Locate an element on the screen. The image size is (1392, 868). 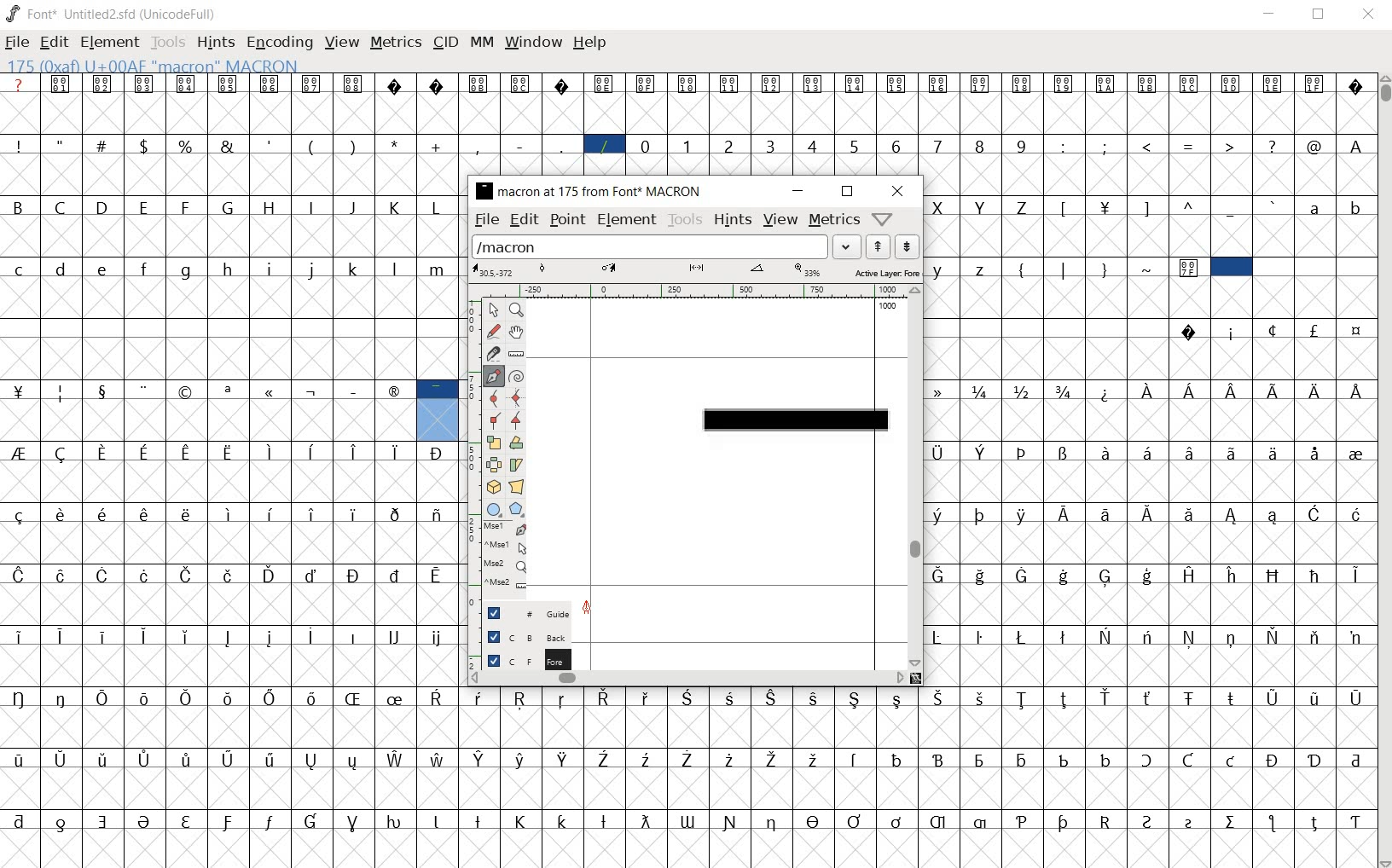
Symbol is located at coordinates (773, 697).